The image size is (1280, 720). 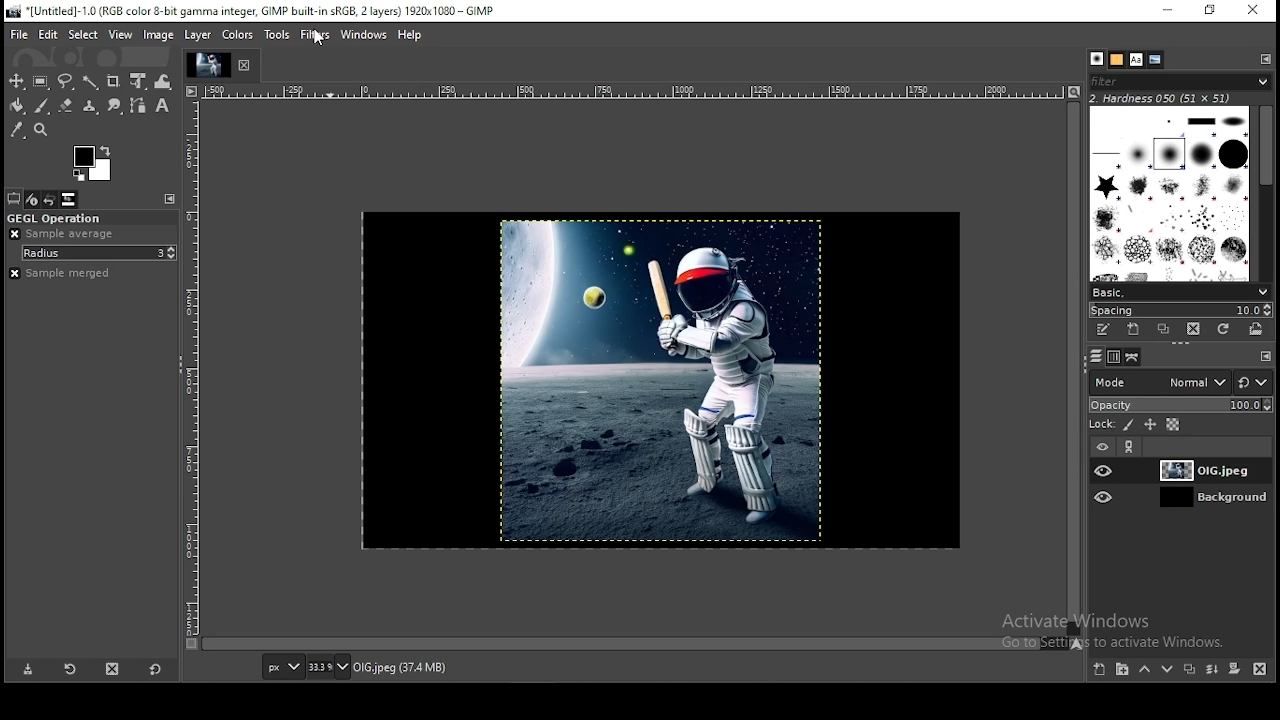 I want to click on search filters, so click(x=1181, y=80).